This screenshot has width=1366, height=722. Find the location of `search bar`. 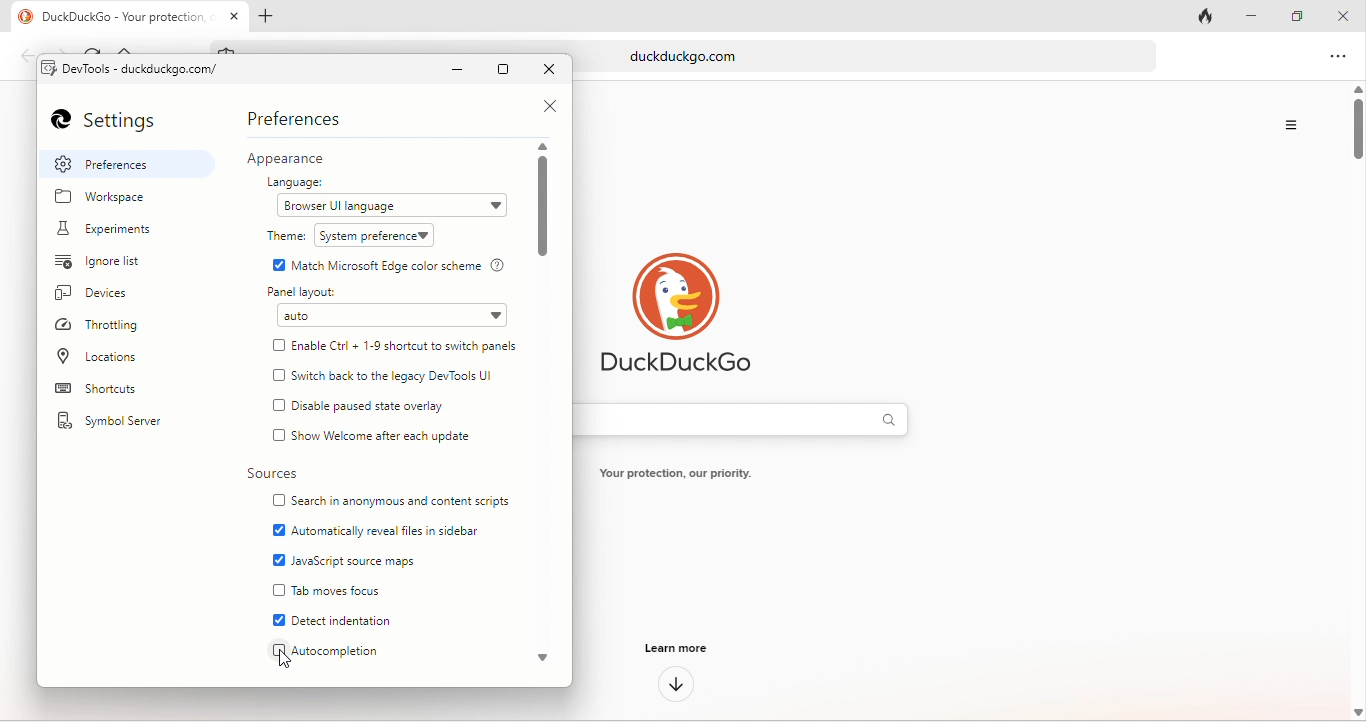

search bar is located at coordinates (757, 420).